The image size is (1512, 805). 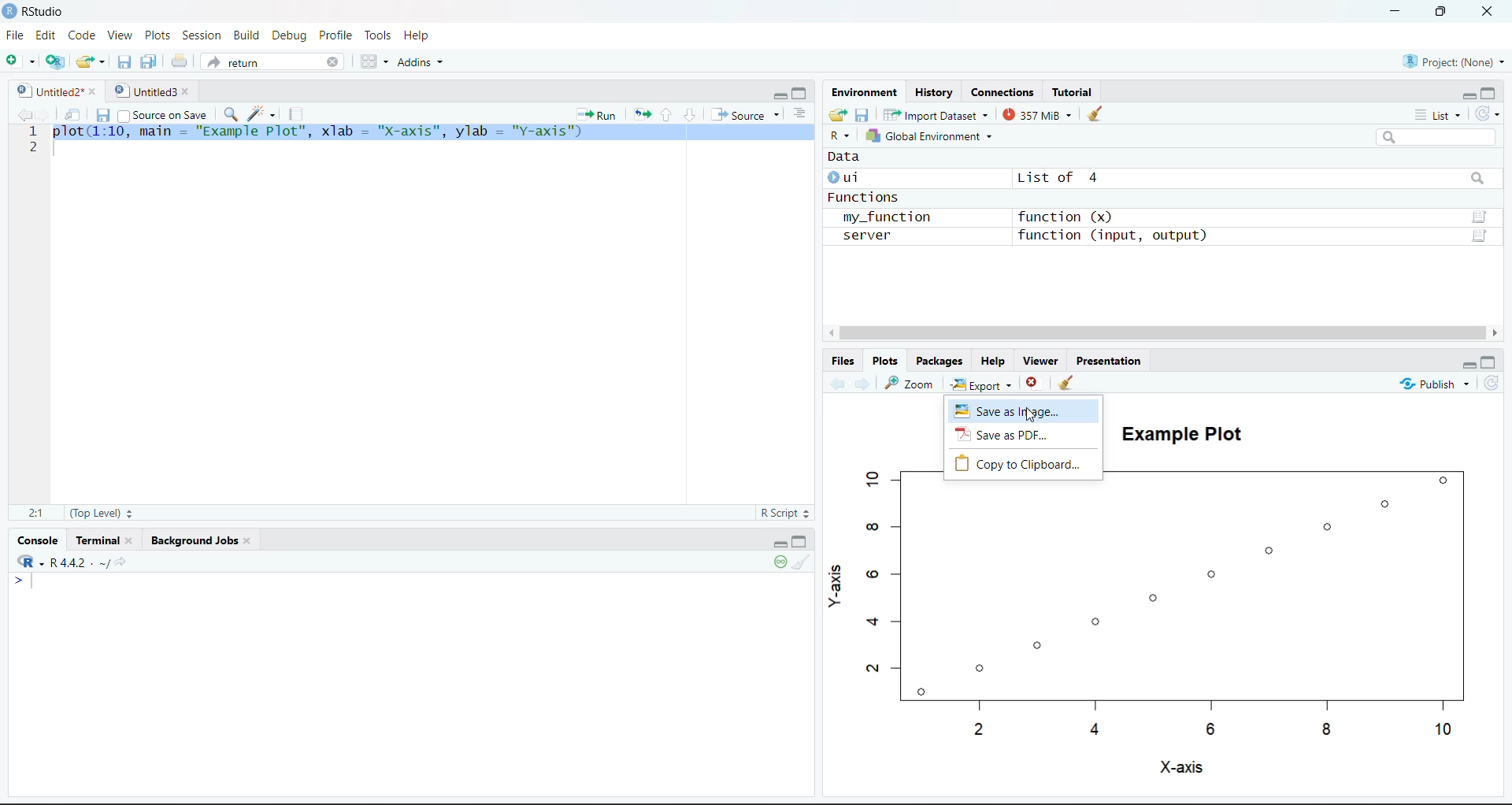 What do you see at coordinates (262, 113) in the screenshot?
I see `Code Tools` at bounding box center [262, 113].